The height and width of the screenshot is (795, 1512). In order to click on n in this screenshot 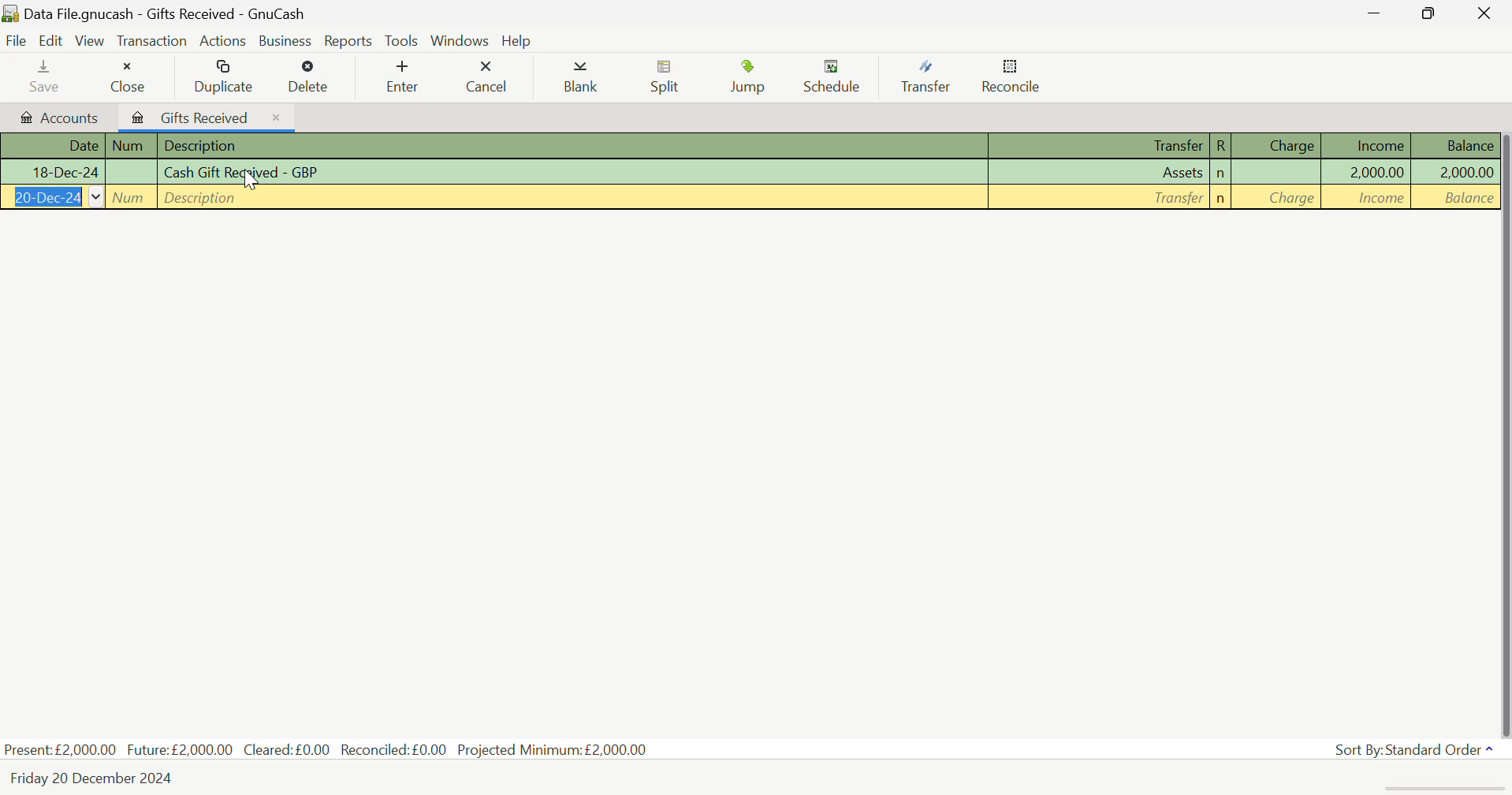, I will do `click(1221, 174)`.